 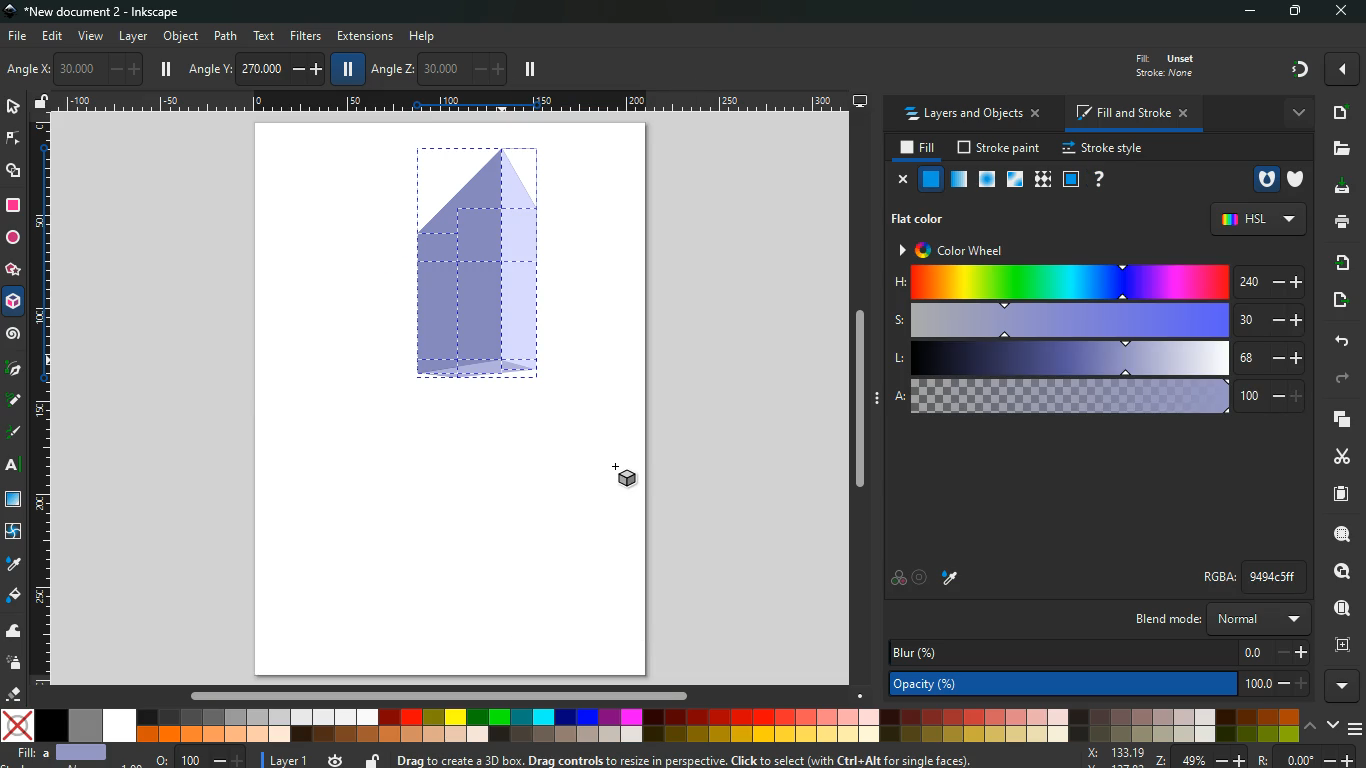 What do you see at coordinates (15, 467) in the screenshot?
I see `text` at bounding box center [15, 467].